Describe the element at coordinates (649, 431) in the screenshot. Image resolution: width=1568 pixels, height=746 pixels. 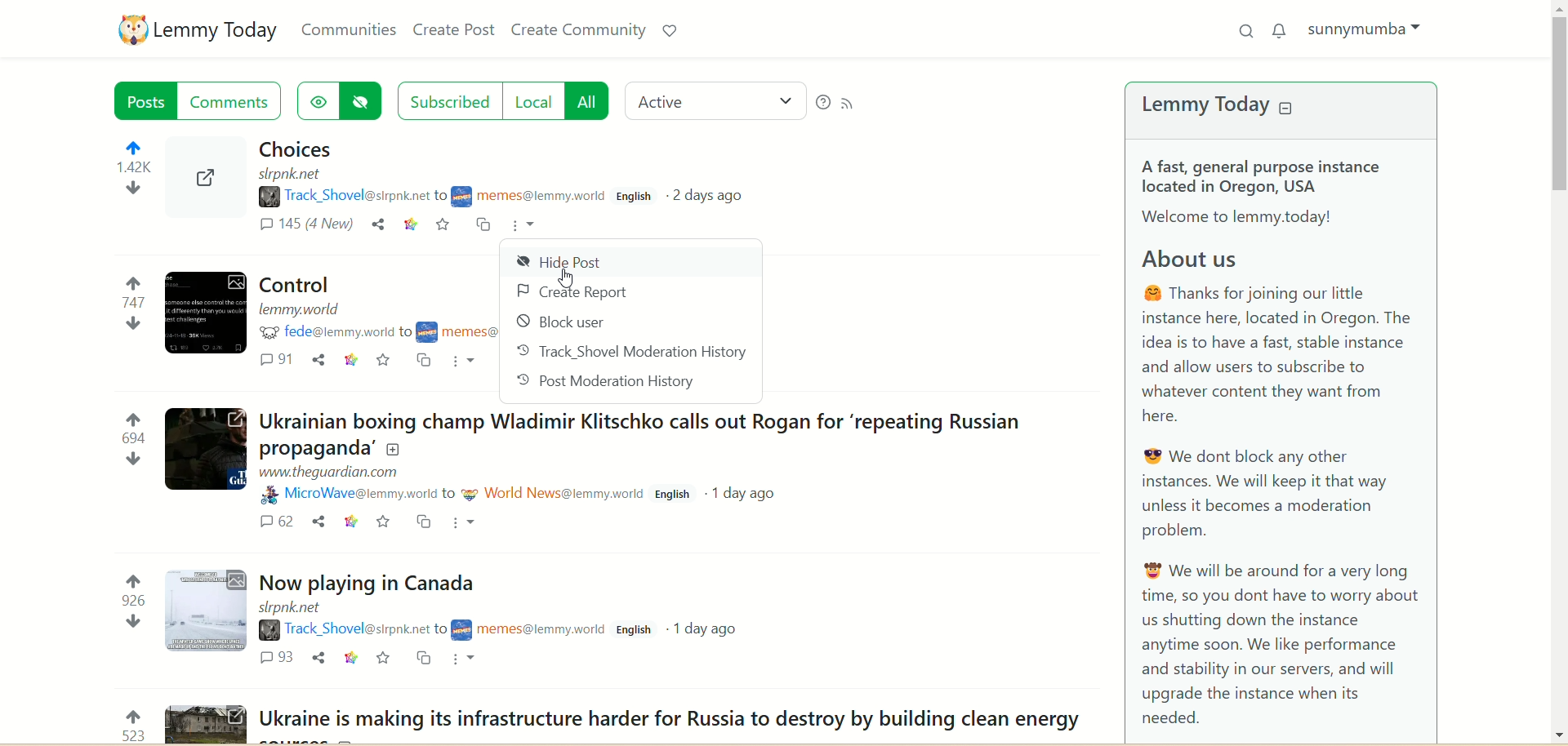
I see `Post on "Ukrainian boxing champ Wladimir Klitschko calls out Rogan for ‘repeating Russian propaganda’"` at that location.